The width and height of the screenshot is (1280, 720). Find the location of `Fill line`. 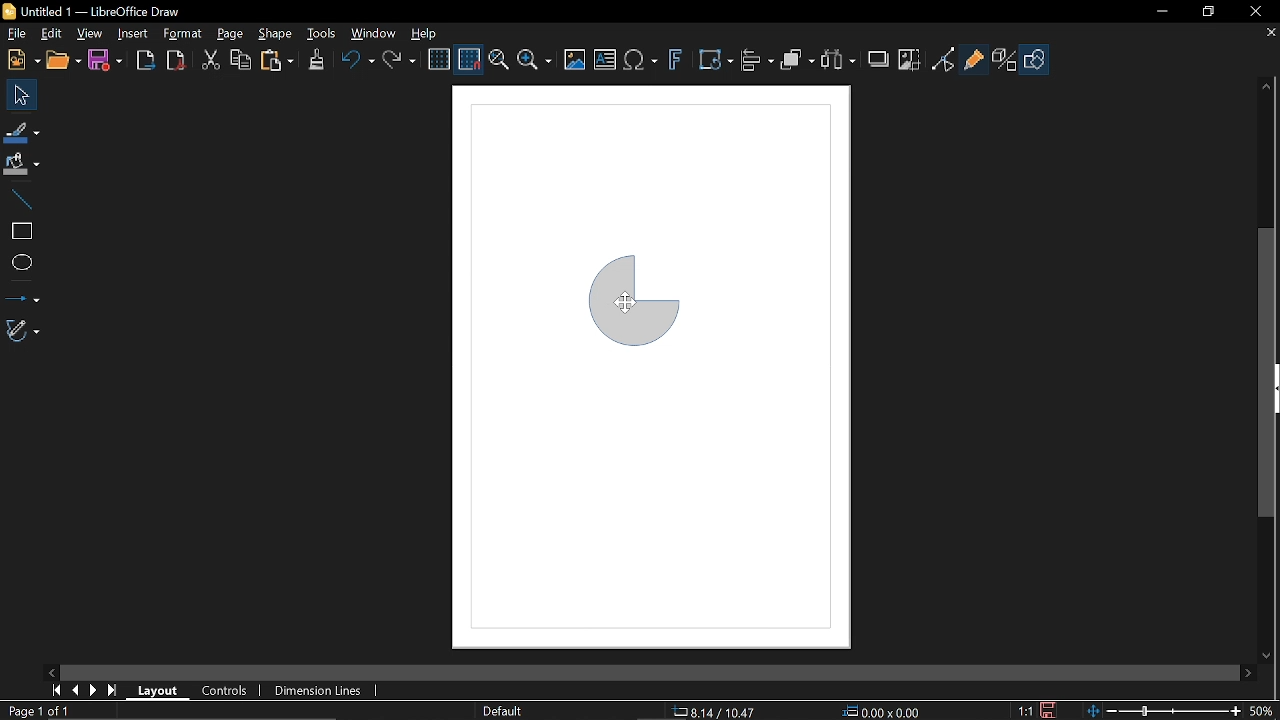

Fill line is located at coordinates (23, 132).